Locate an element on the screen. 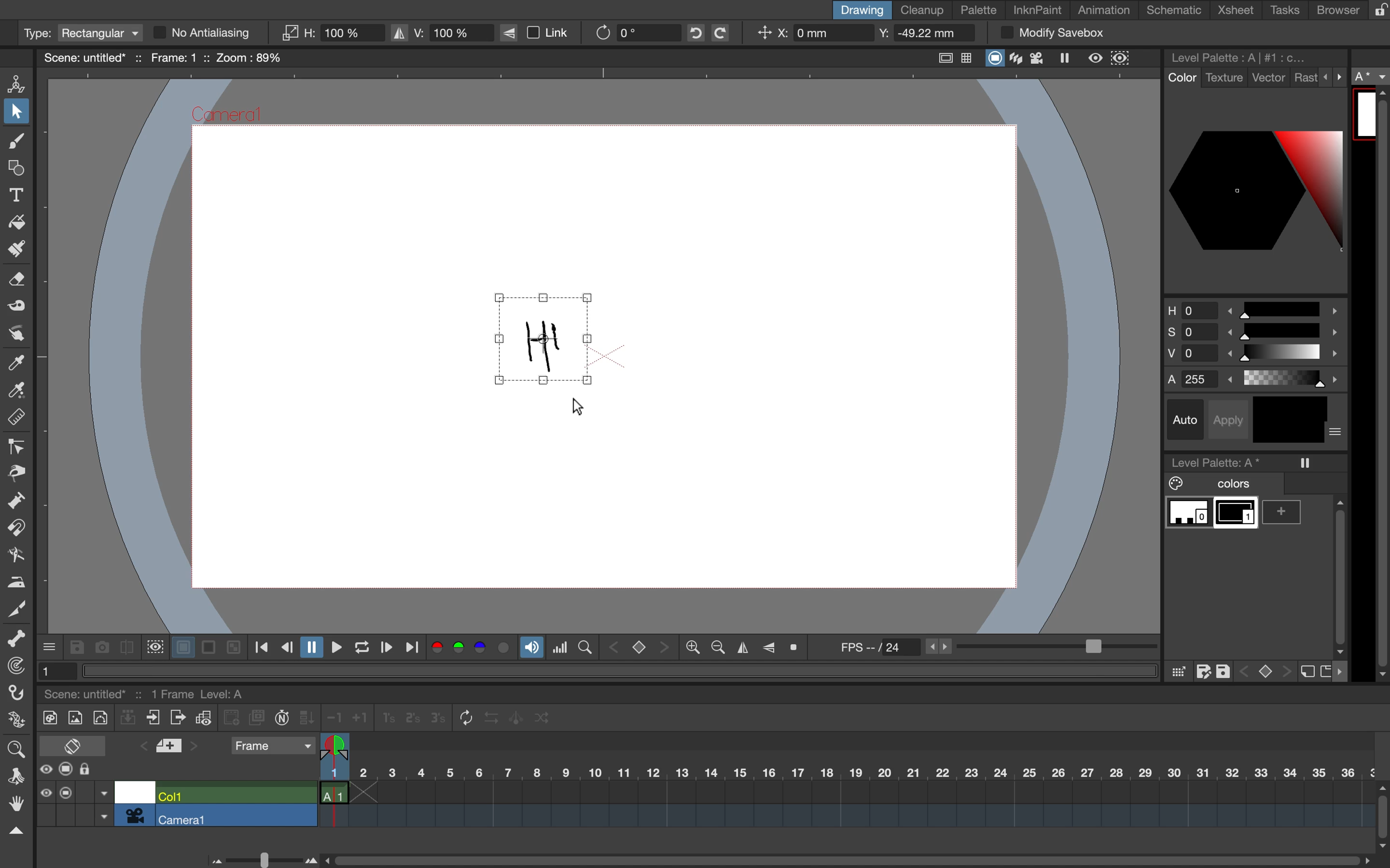 Image resolution: width=1390 pixels, height=868 pixels. toggle edit in place is located at coordinates (203, 720).